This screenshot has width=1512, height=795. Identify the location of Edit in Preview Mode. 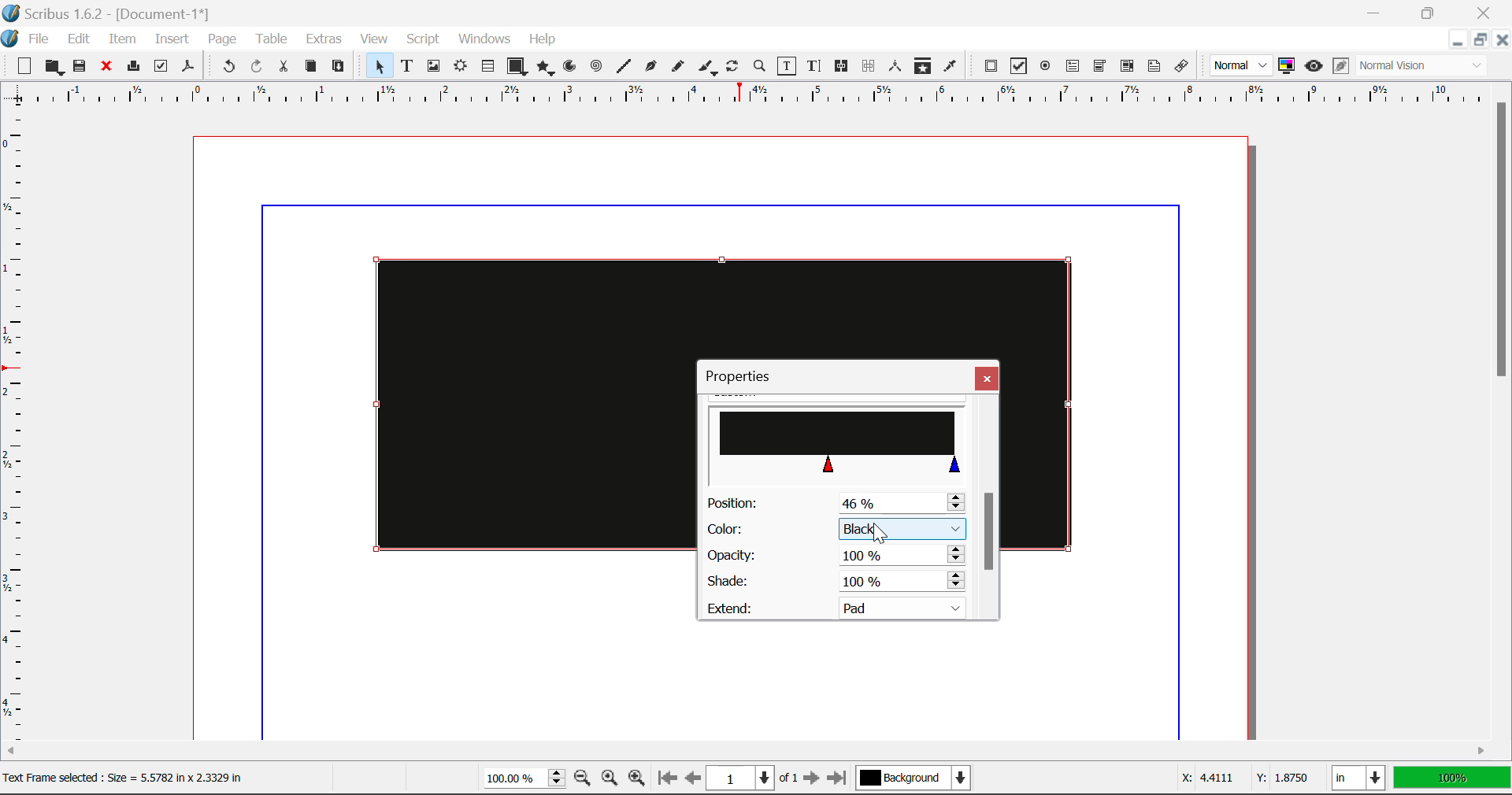
(1341, 66).